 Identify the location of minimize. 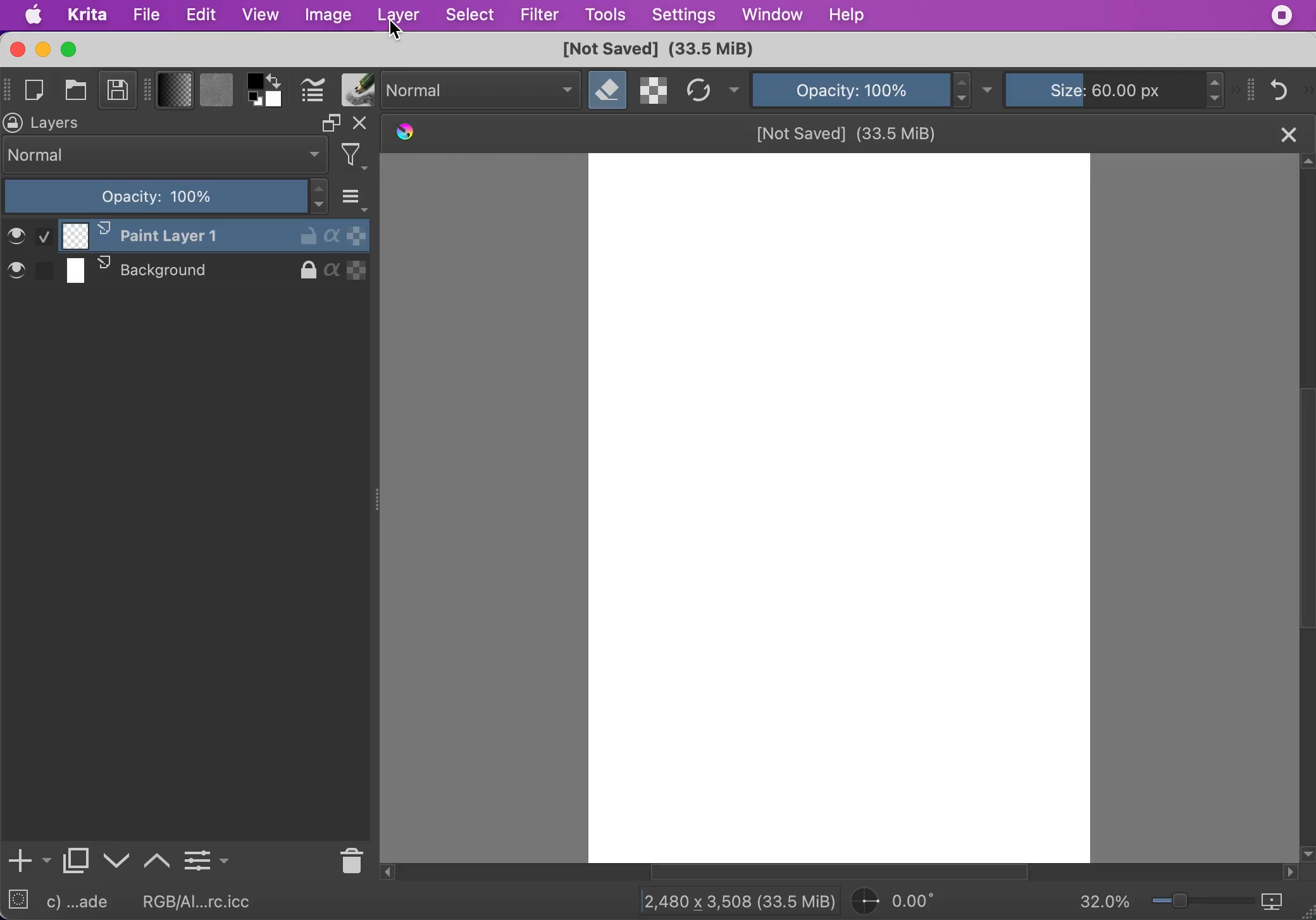
(42, 49).